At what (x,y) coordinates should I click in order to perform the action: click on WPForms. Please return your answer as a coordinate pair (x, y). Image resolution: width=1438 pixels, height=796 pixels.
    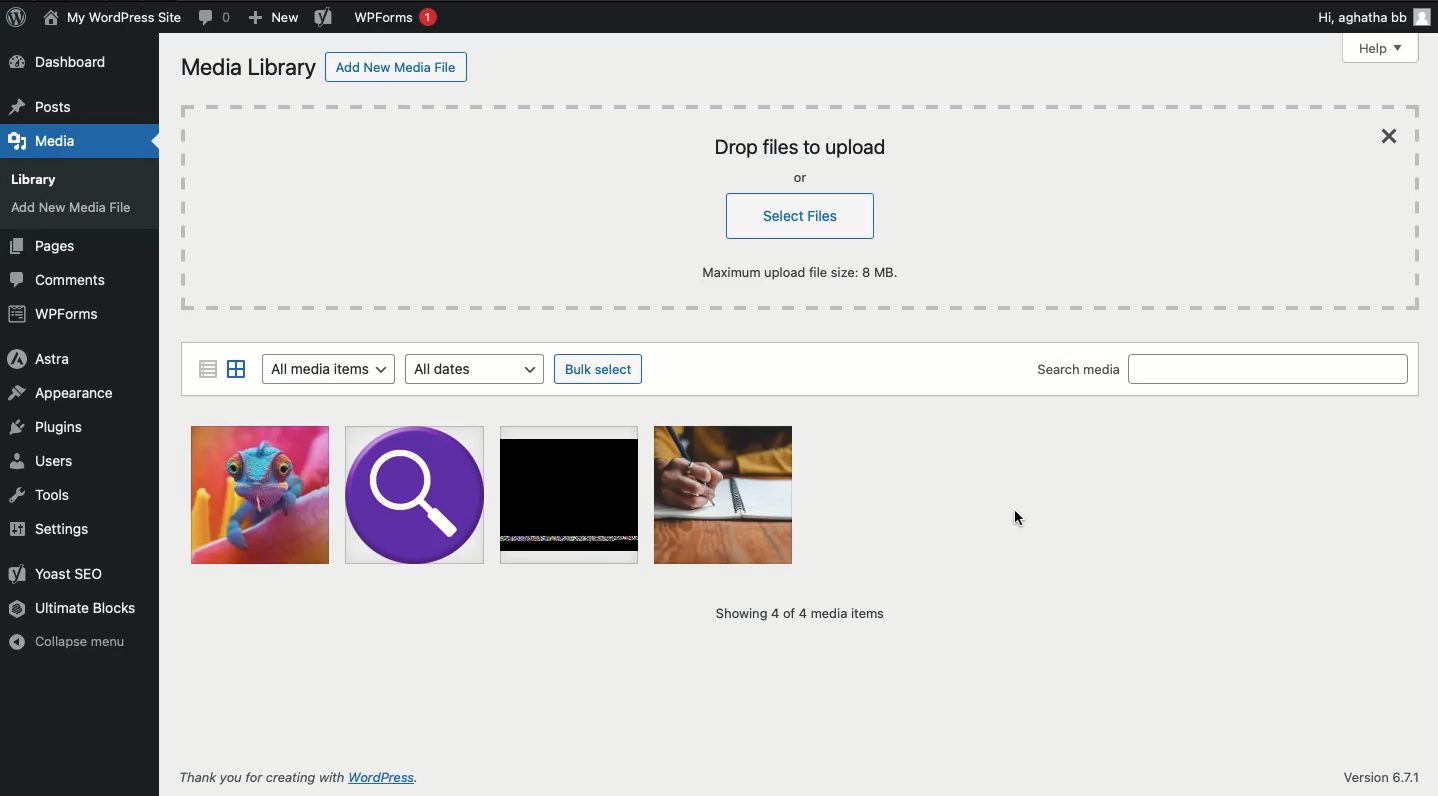
    Looking at the image, I should click on (55, 315).